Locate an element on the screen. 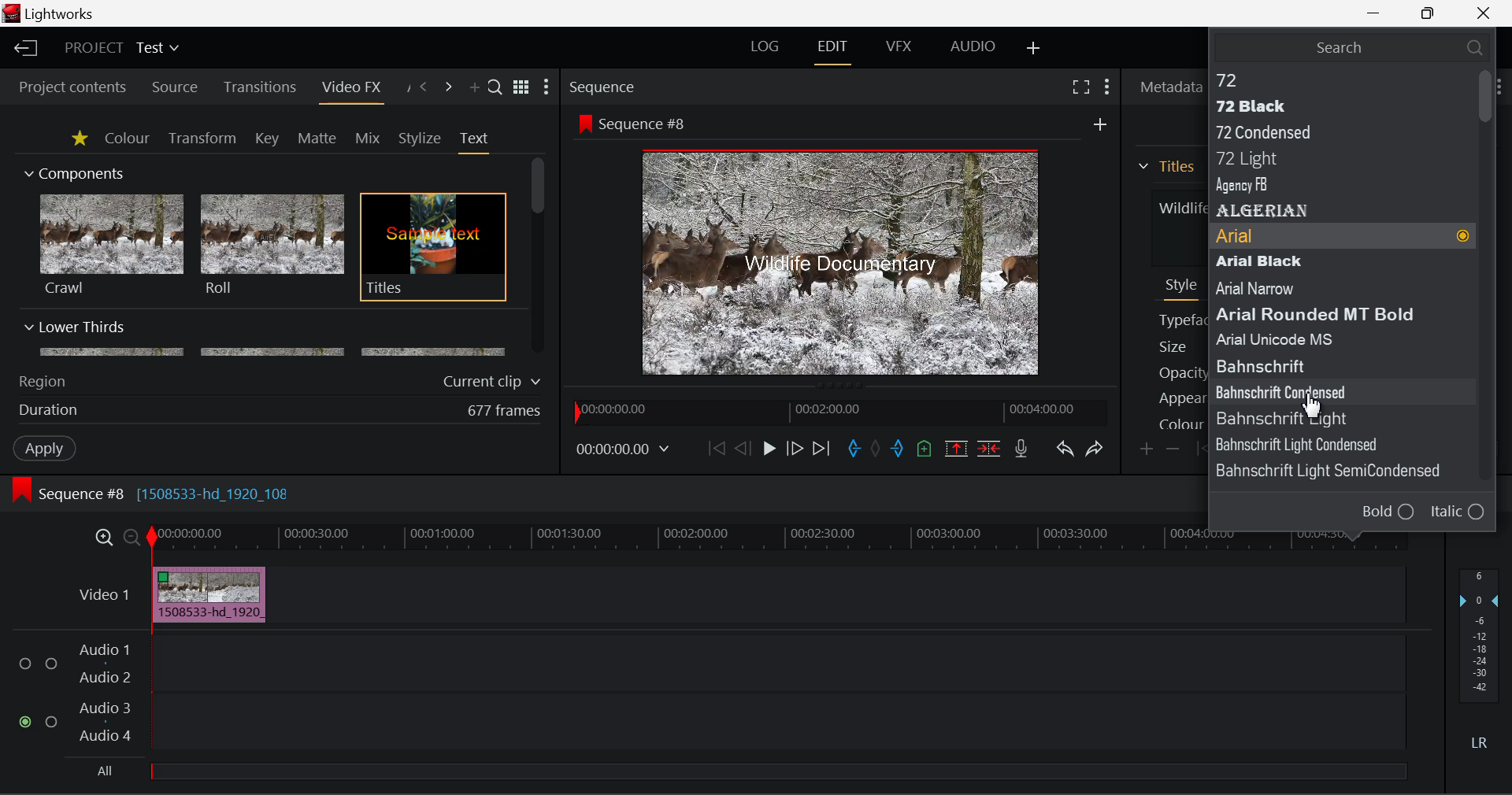 The image size is (1512, 795). Sequence is located at coordinates (604, 86).